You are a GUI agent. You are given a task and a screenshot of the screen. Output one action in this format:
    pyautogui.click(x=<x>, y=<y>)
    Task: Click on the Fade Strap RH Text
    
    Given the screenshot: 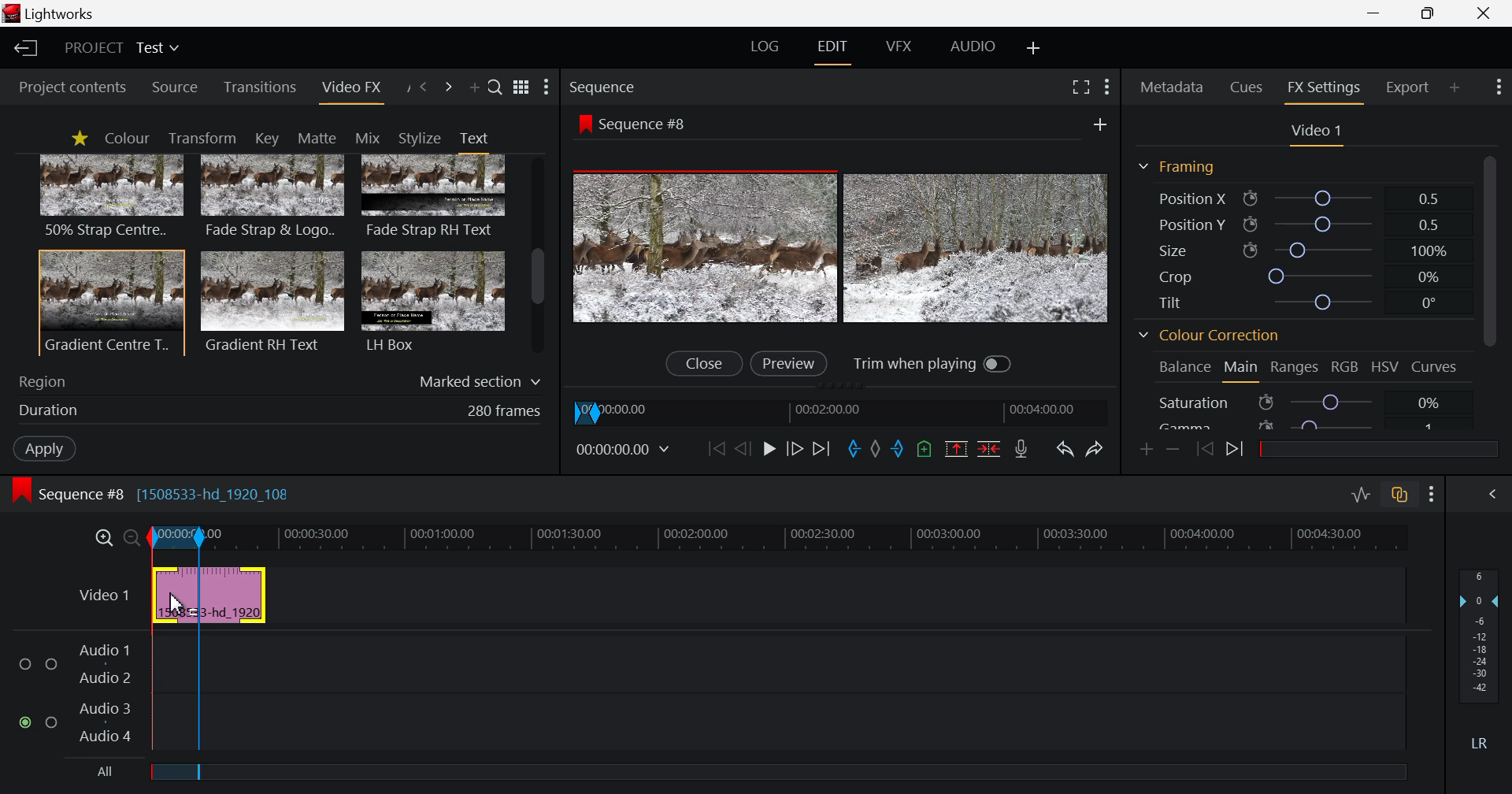 What is the action you would take?
    pyautogui.click(x=435, y=197)
    